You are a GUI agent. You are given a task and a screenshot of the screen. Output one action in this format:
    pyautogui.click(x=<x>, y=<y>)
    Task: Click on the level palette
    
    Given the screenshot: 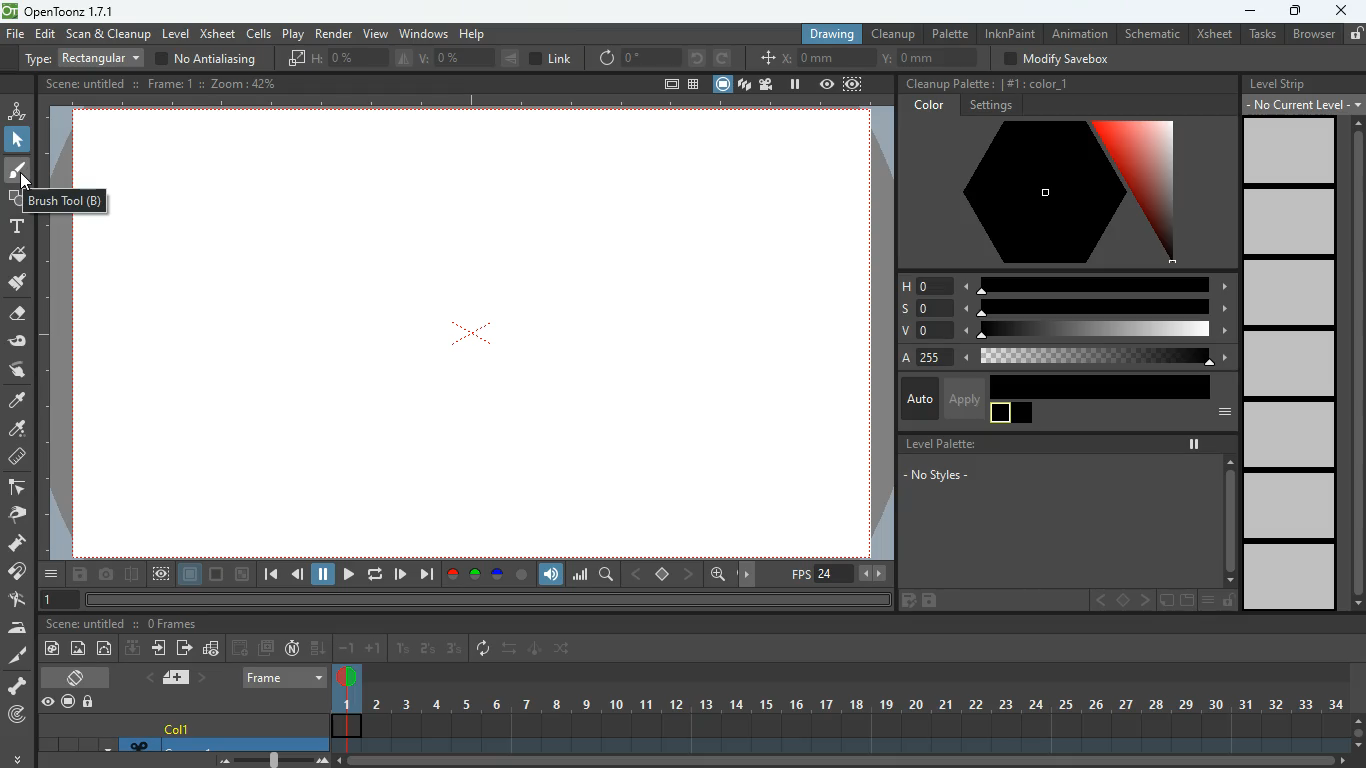 What is the action you would take?
    pyautogui.click(x=937, y=444)
    